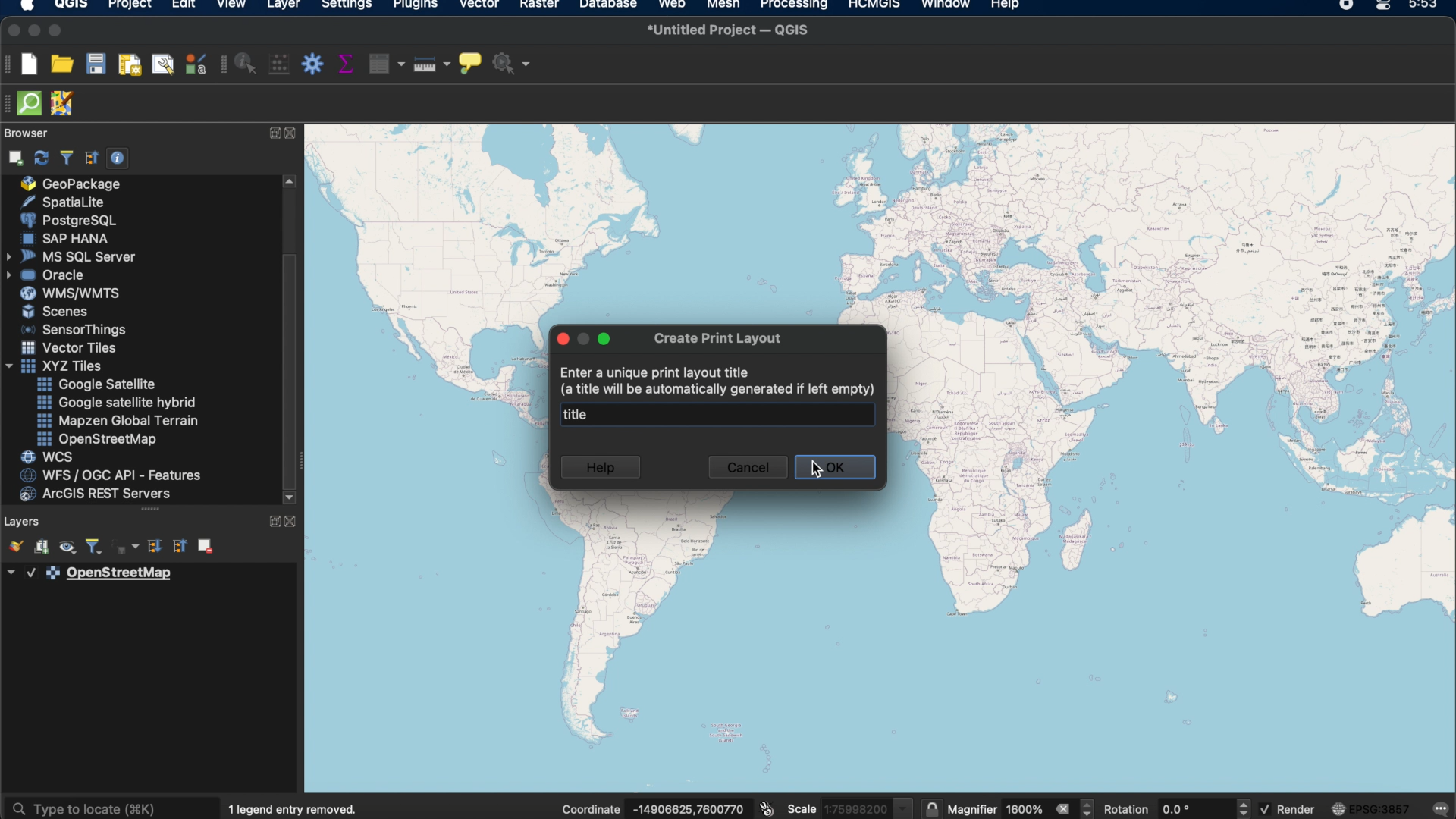  Describe the element at coordinates (69, 548) in the screenshot. I see `manage map themes` at that location.